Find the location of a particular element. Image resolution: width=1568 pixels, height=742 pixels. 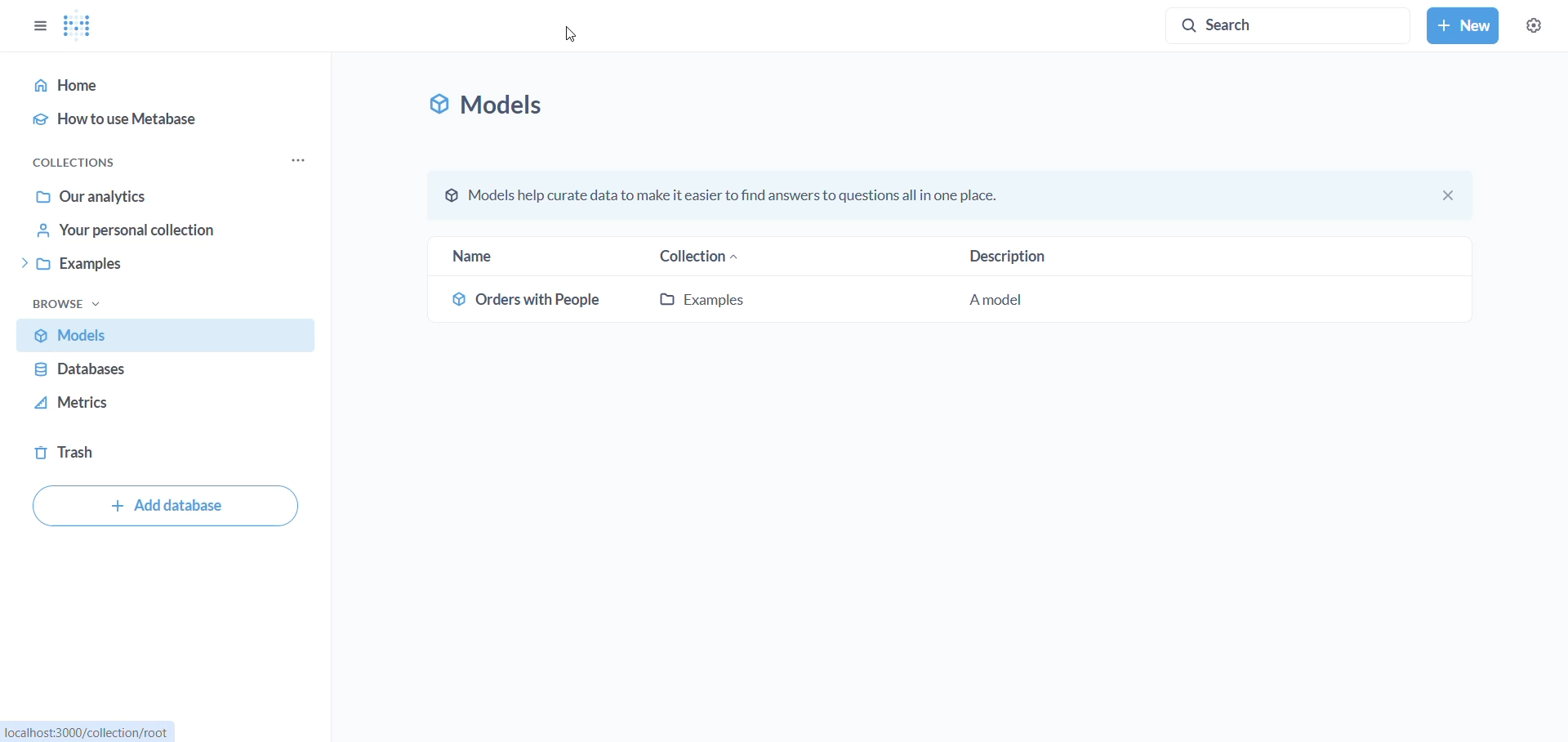

collection is located at coordinates (777, 255).